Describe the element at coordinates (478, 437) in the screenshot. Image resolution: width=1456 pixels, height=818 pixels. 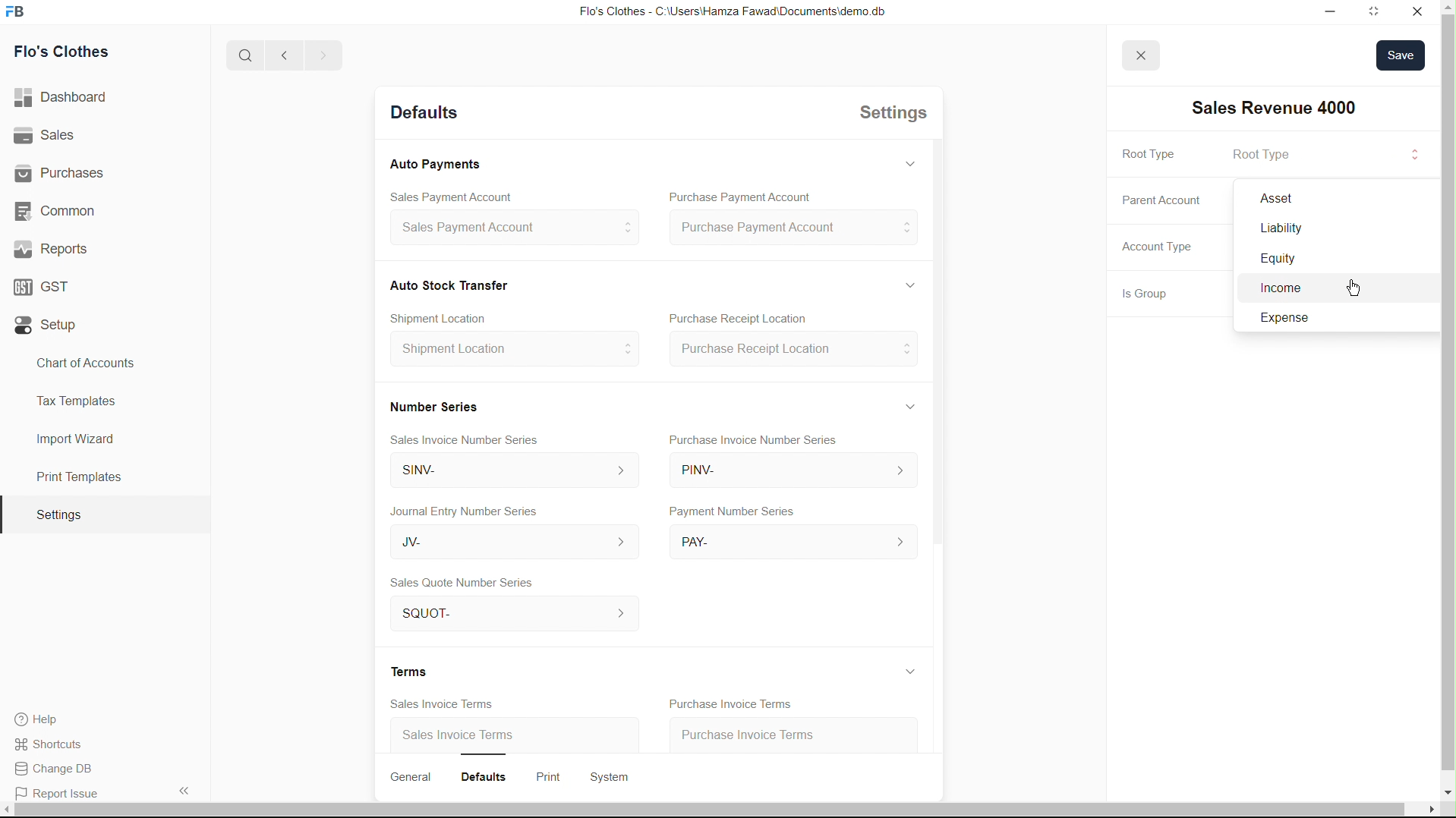
I see `Sales Invoice Number Series` at that location.